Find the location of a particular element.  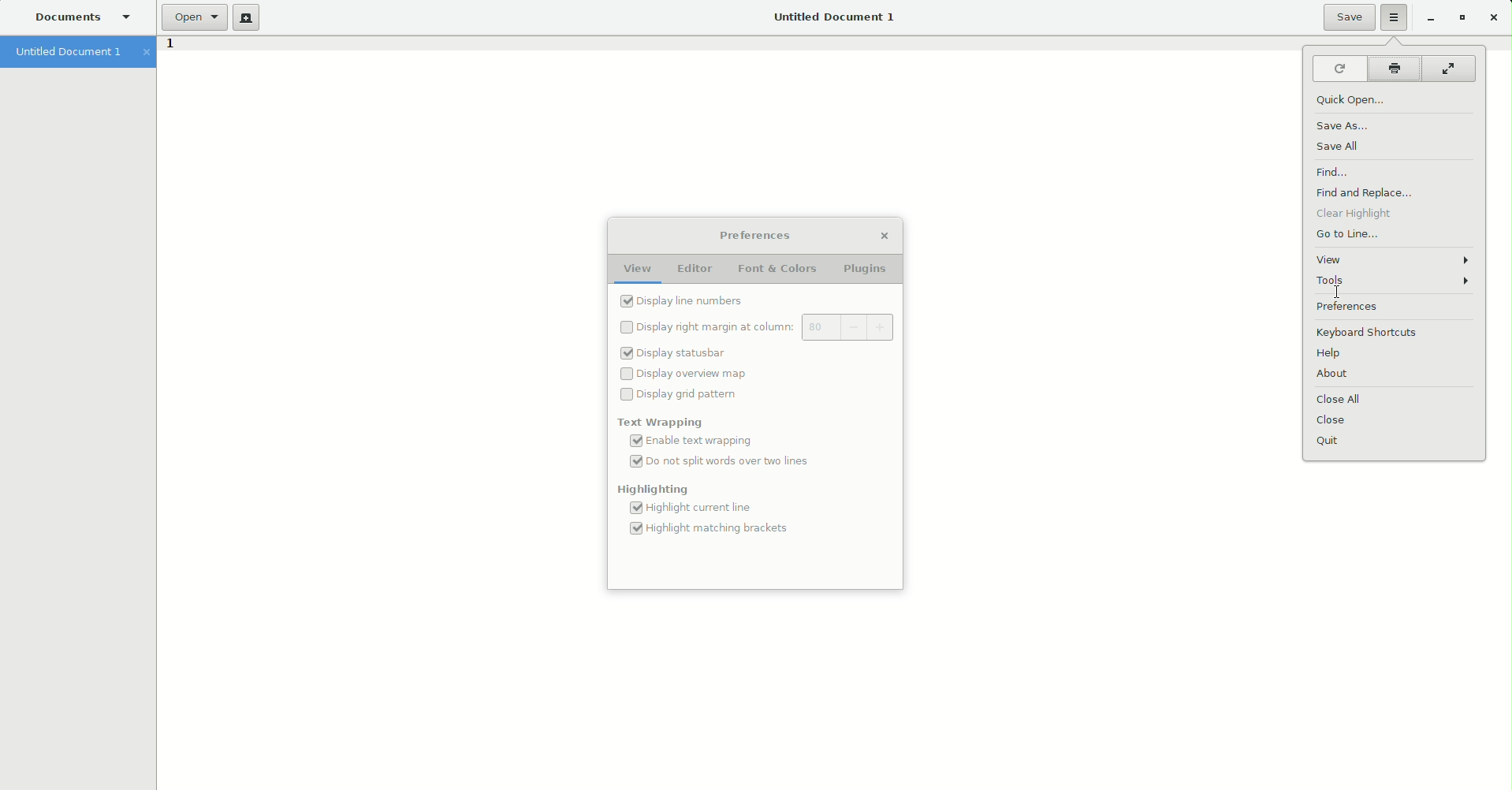

Plugins is located at coordinates (868, 270).